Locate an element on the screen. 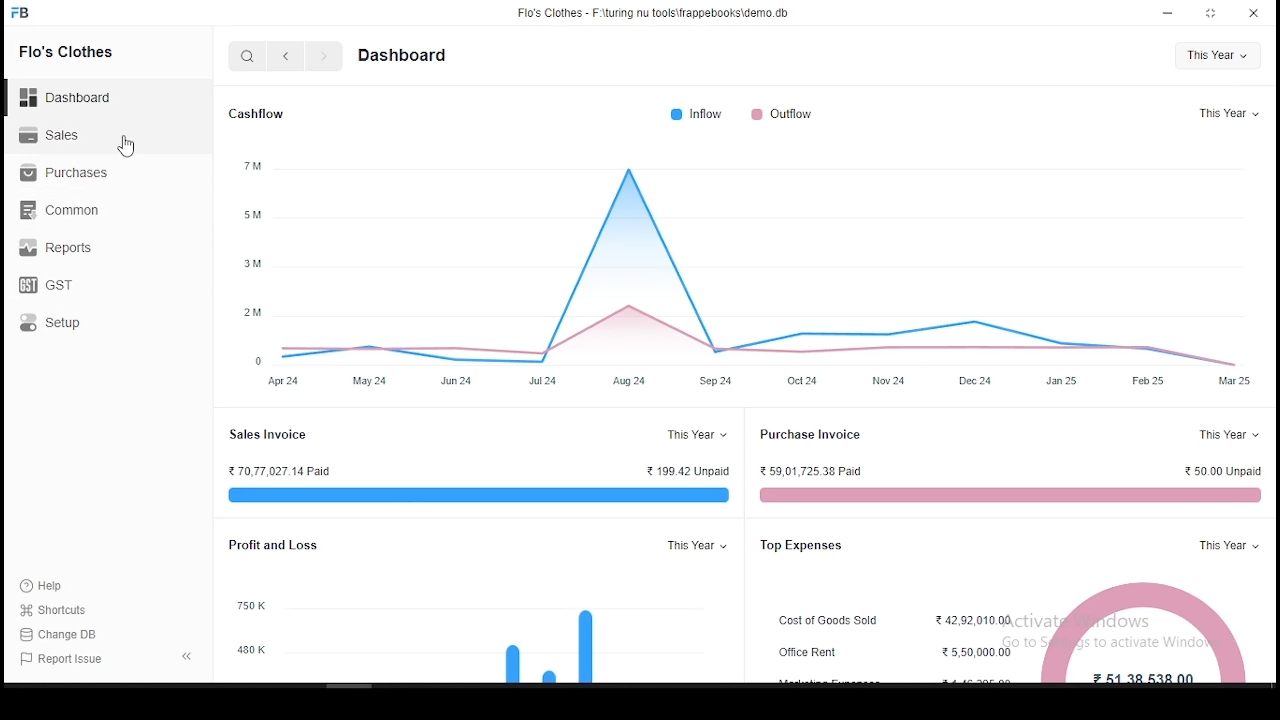 The width and height of the screenshot is (1280, 720). cursor is located at coordinates (124, 146).